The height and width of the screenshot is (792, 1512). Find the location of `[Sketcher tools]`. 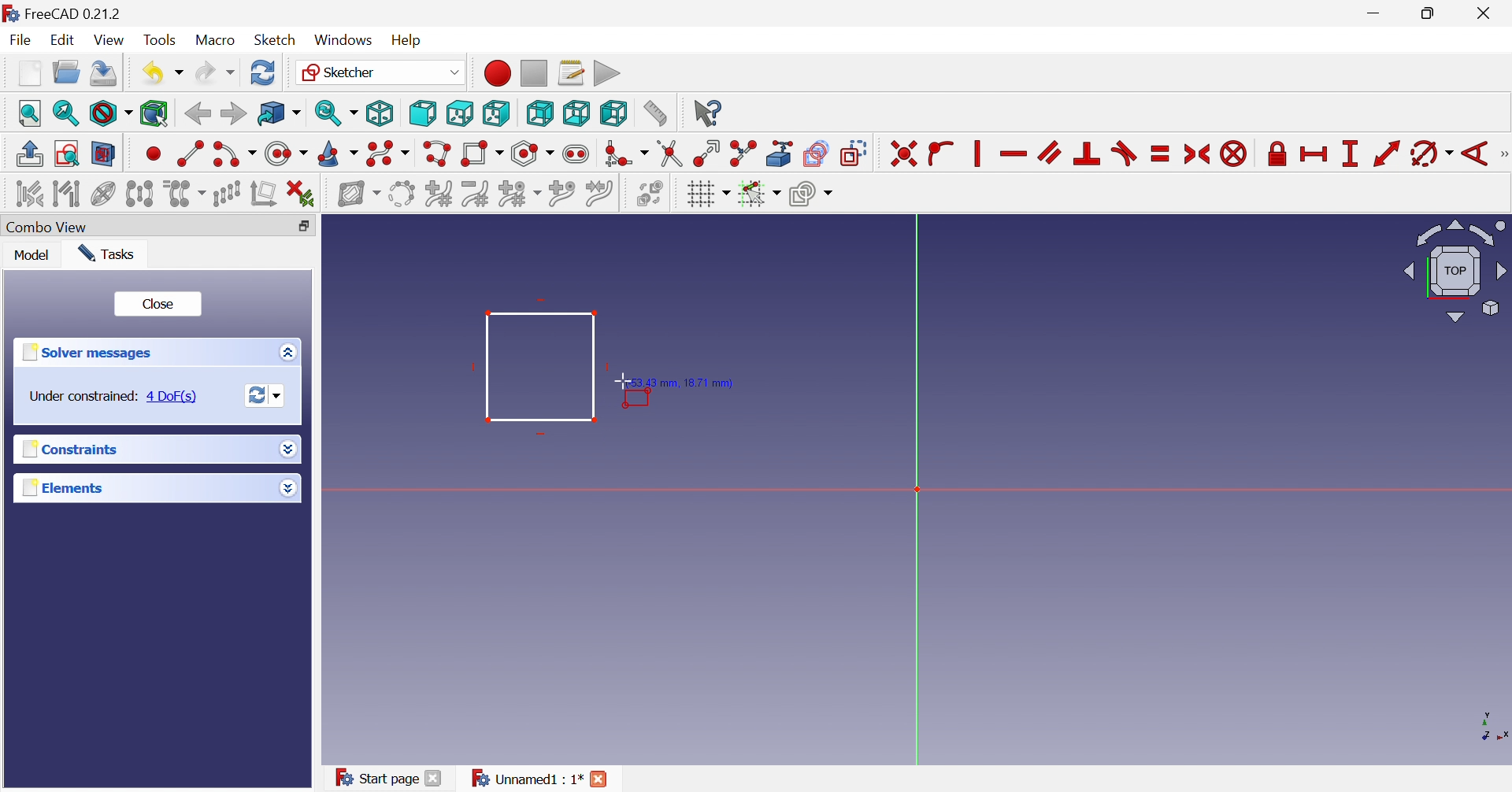

[Sketcher tools] is located at coordinates (1503, 156).